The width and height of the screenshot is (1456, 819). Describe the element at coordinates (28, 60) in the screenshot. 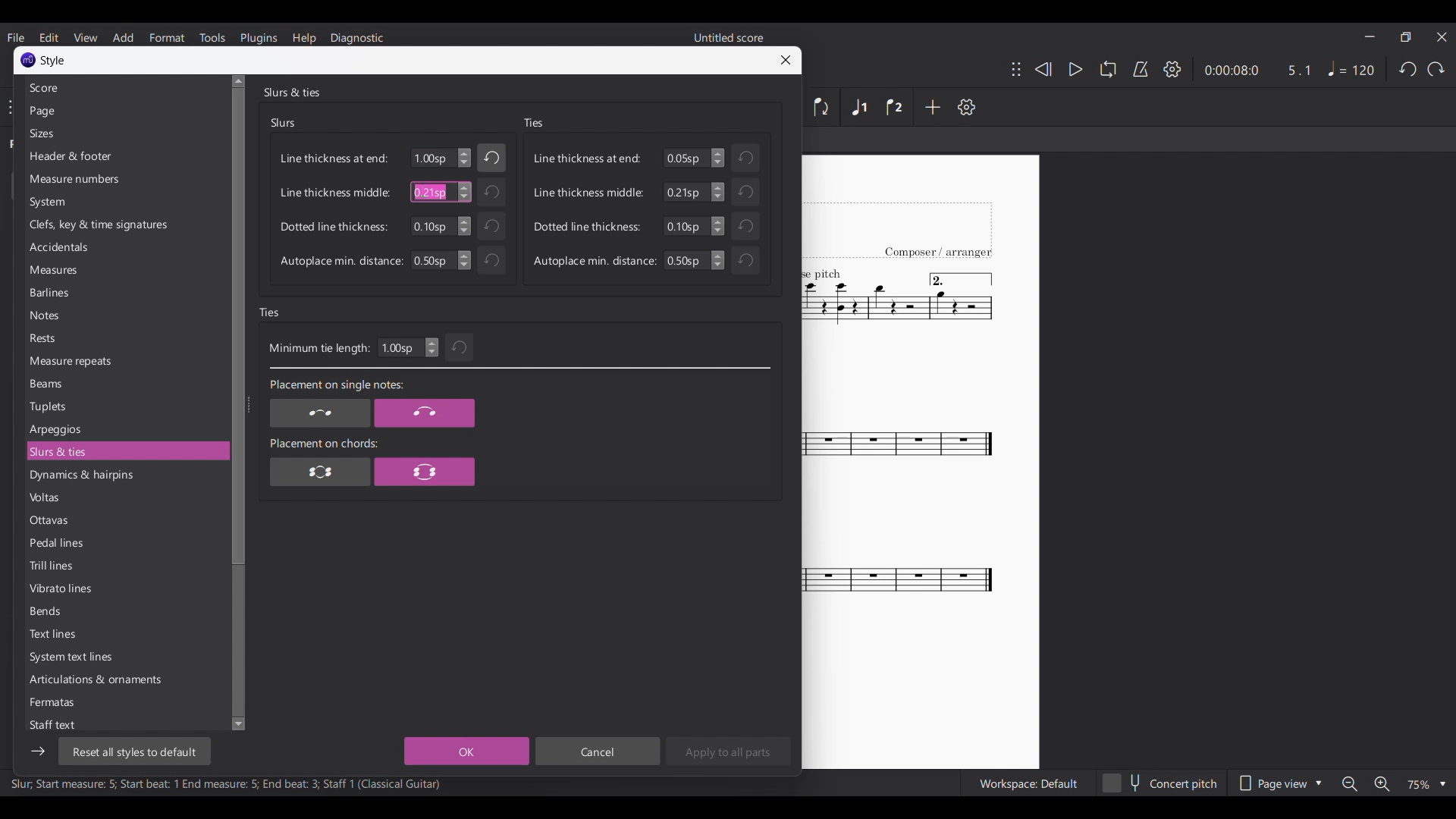

I see `Software logo` at that location.